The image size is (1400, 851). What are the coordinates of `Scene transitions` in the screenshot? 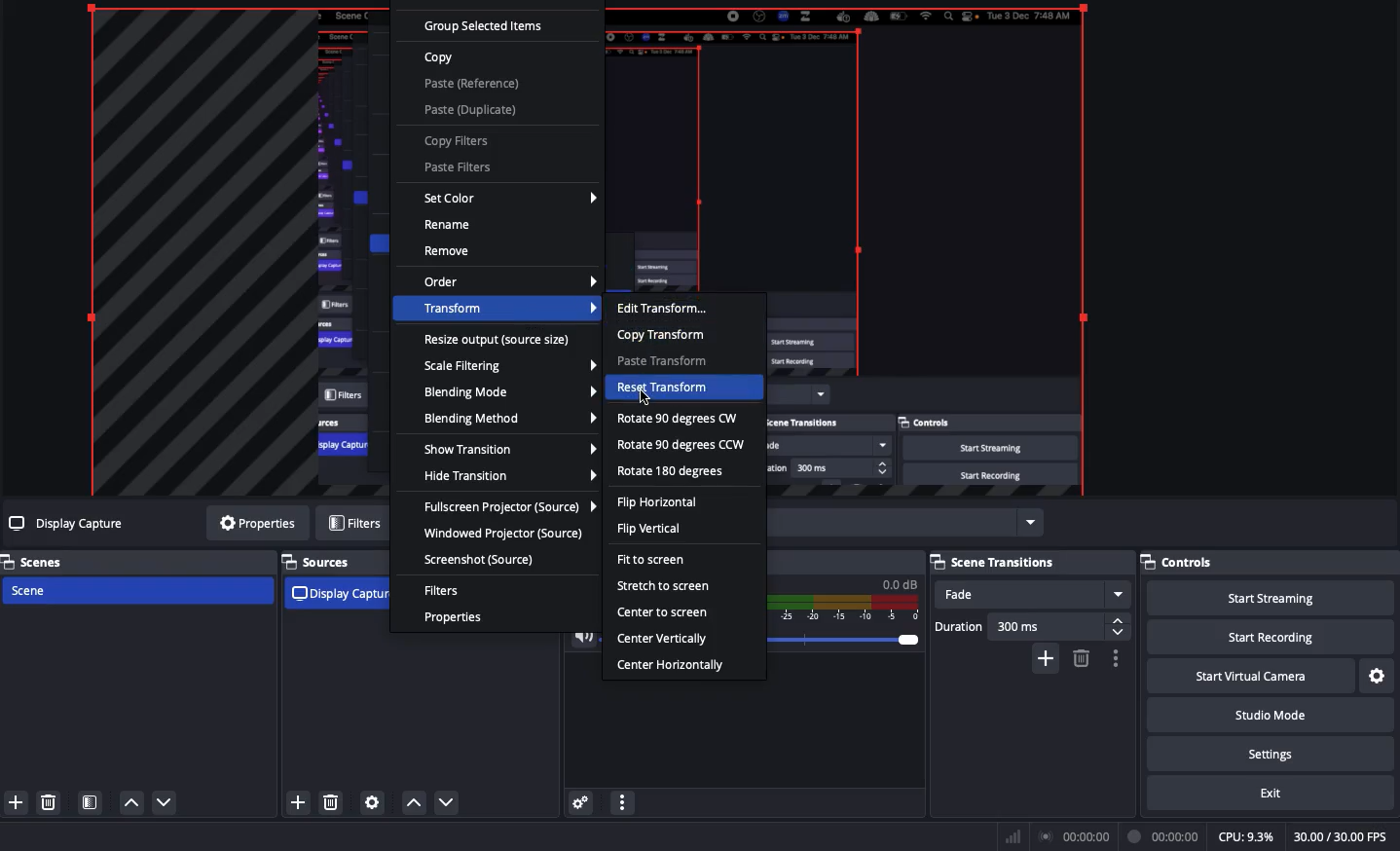 It's located at (1030, 562).